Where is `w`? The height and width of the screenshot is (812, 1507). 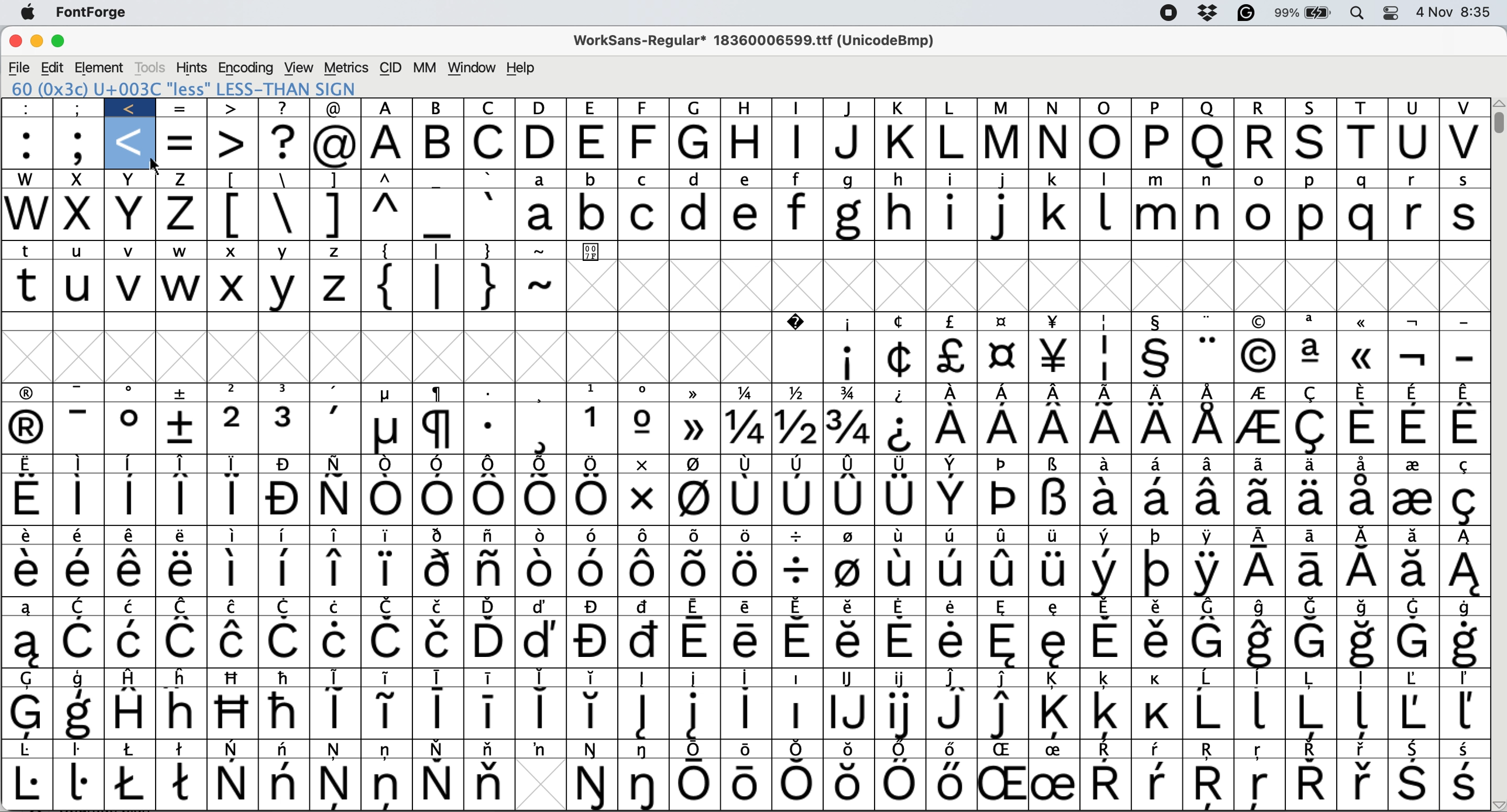 w is located at coordinates (181, 287).